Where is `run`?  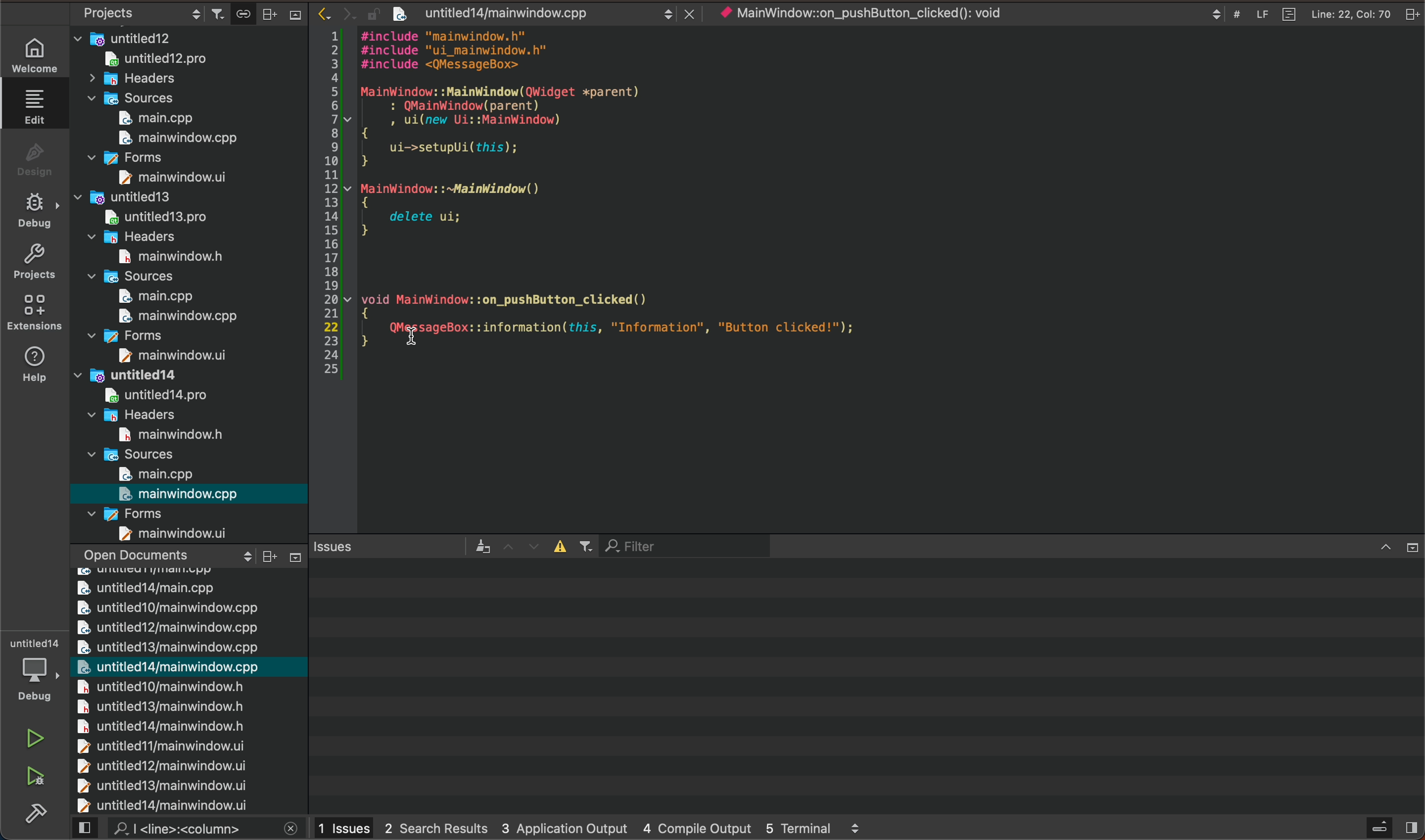
run is located at coordinates (33, 738).